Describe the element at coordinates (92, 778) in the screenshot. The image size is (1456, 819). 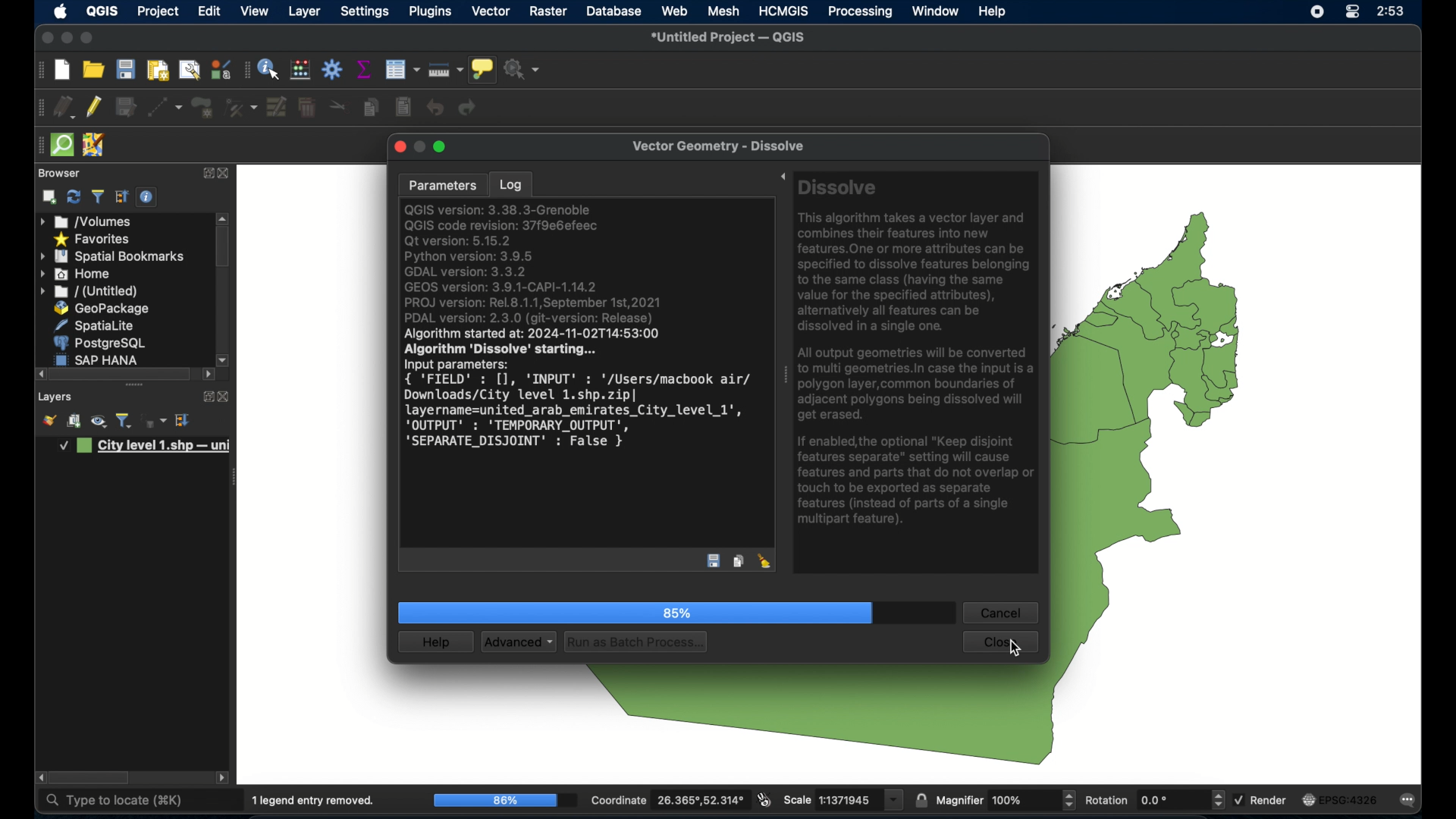
I see `scroll box` at that location.